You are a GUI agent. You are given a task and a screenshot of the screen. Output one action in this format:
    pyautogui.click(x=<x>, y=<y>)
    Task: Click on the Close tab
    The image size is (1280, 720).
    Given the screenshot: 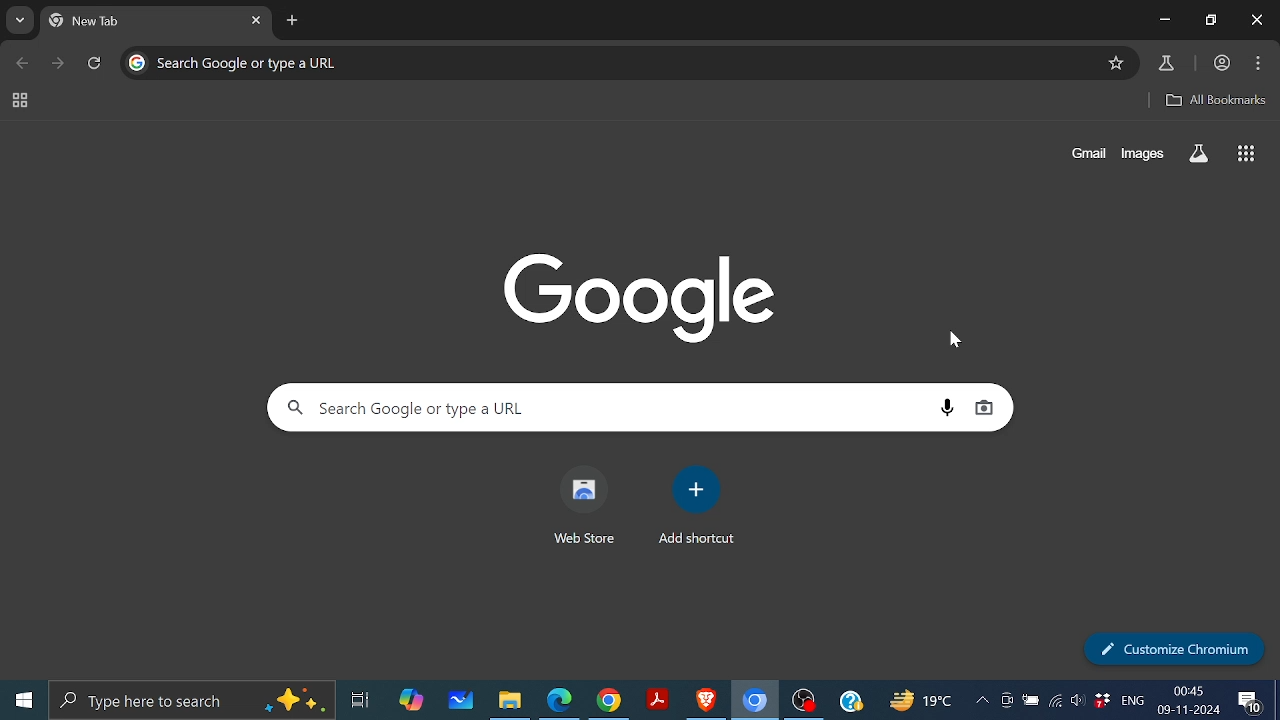 What is the action you would take?
    pyautogui.click(x=256, y=20)
    